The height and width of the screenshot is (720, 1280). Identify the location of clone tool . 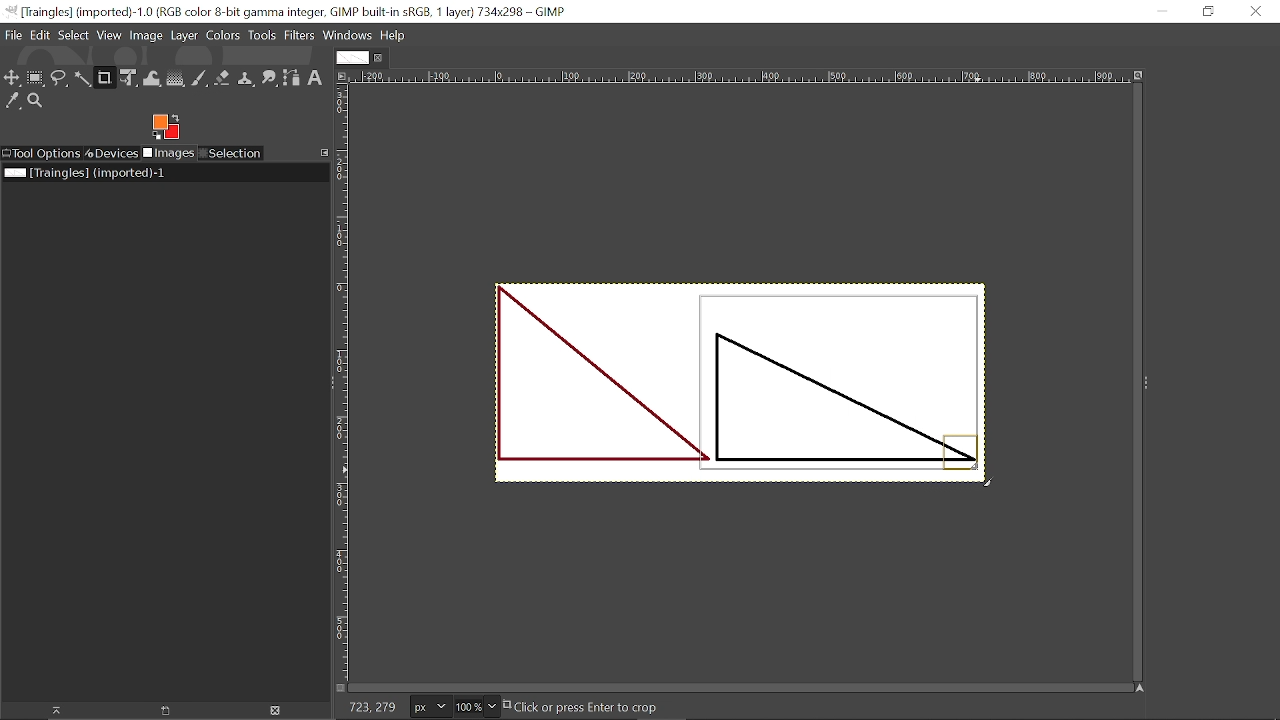
(245, 79).